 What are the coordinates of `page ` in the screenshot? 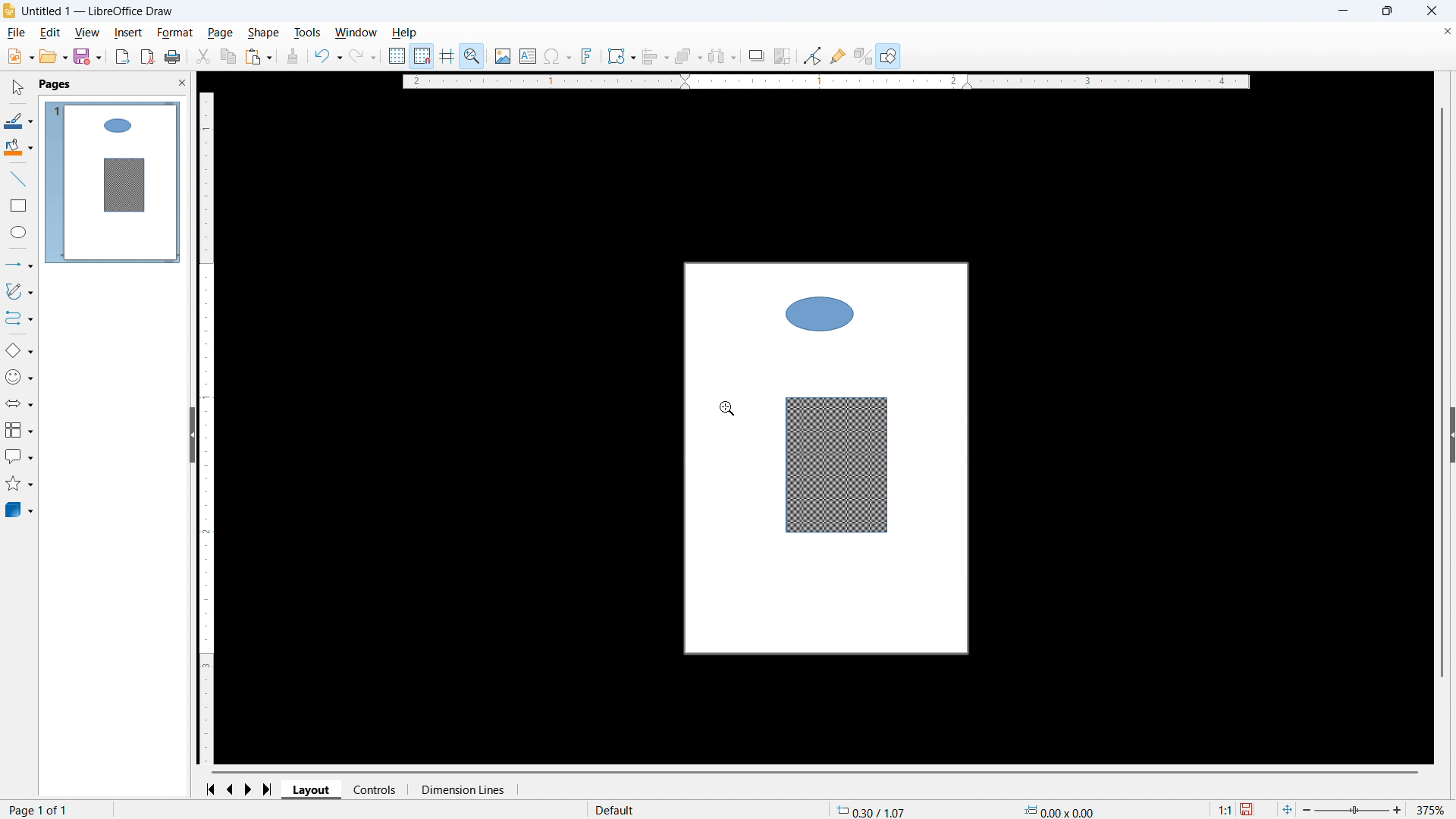 It's located at (220, 33).